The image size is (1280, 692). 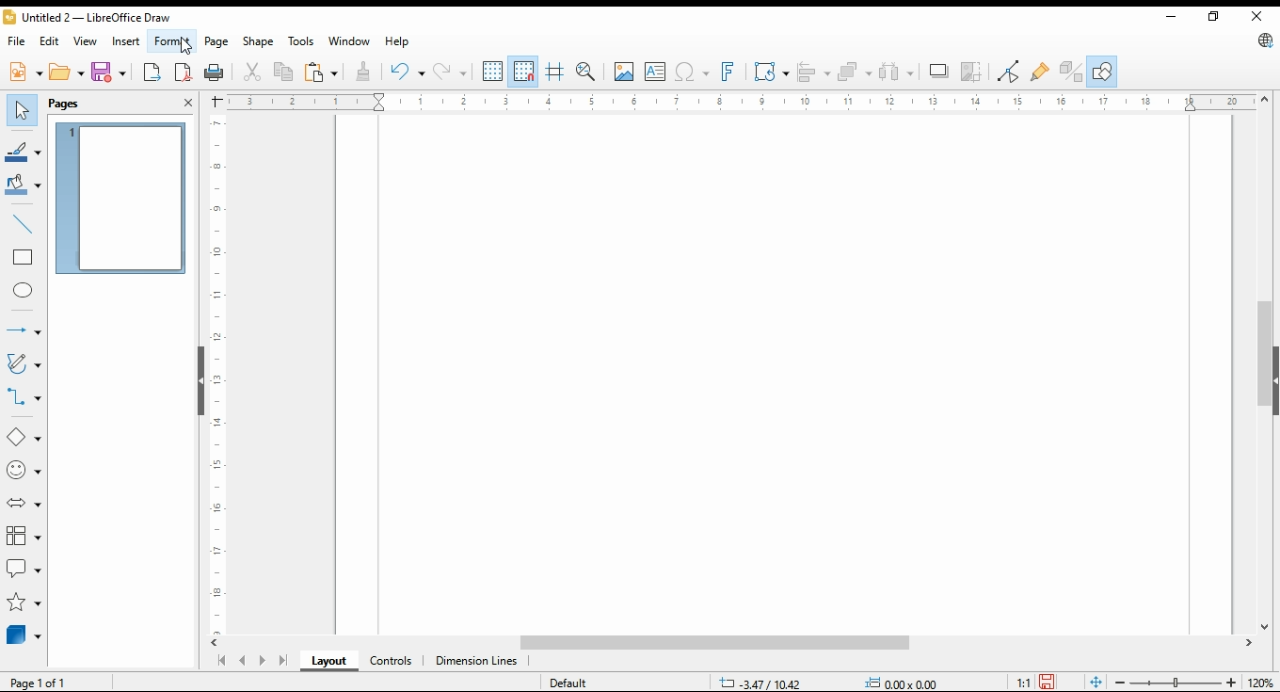 I want to click on ontrols, so click(x=392, y=661).